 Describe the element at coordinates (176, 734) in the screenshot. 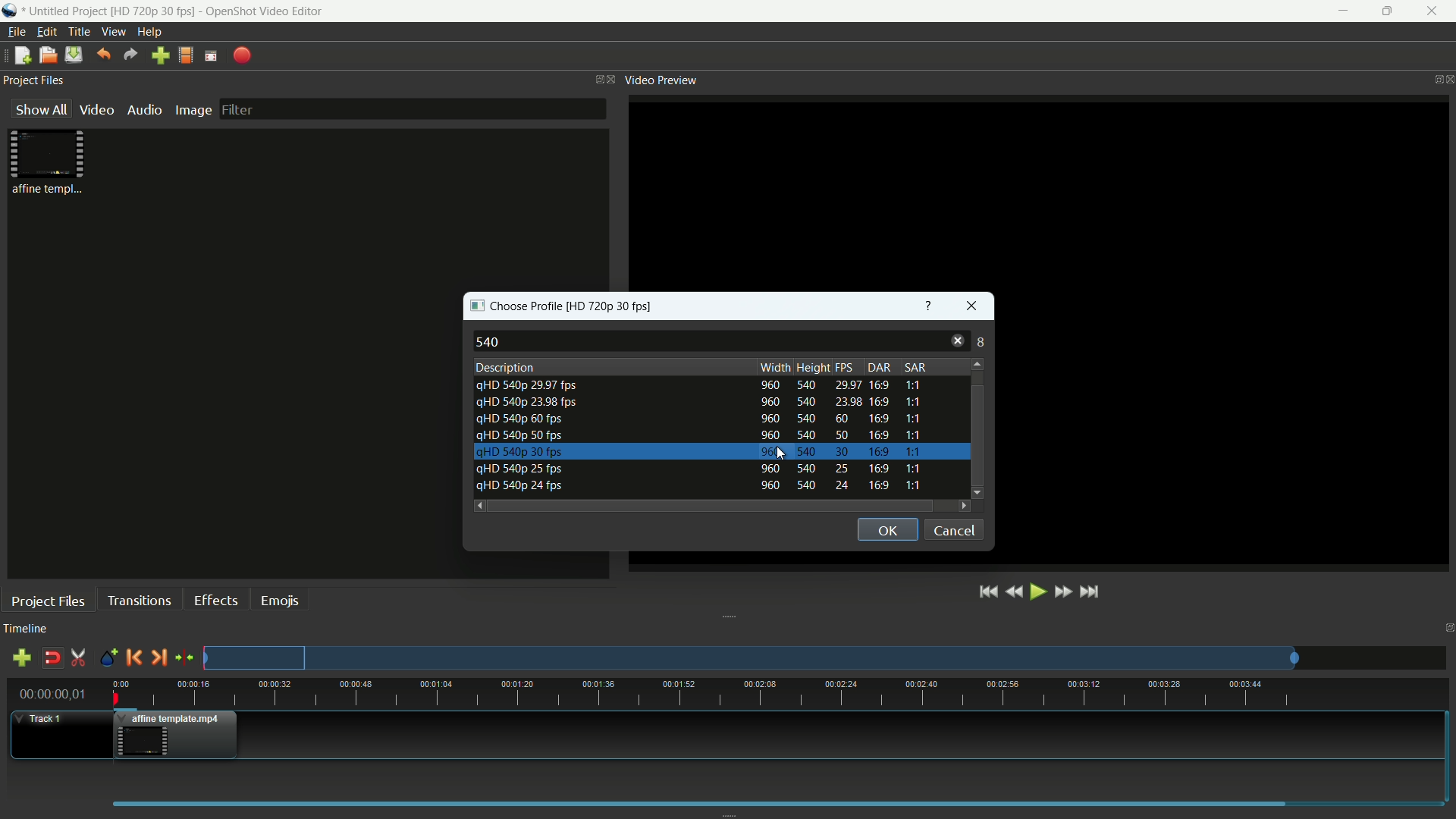

I see `video in track` at that location.